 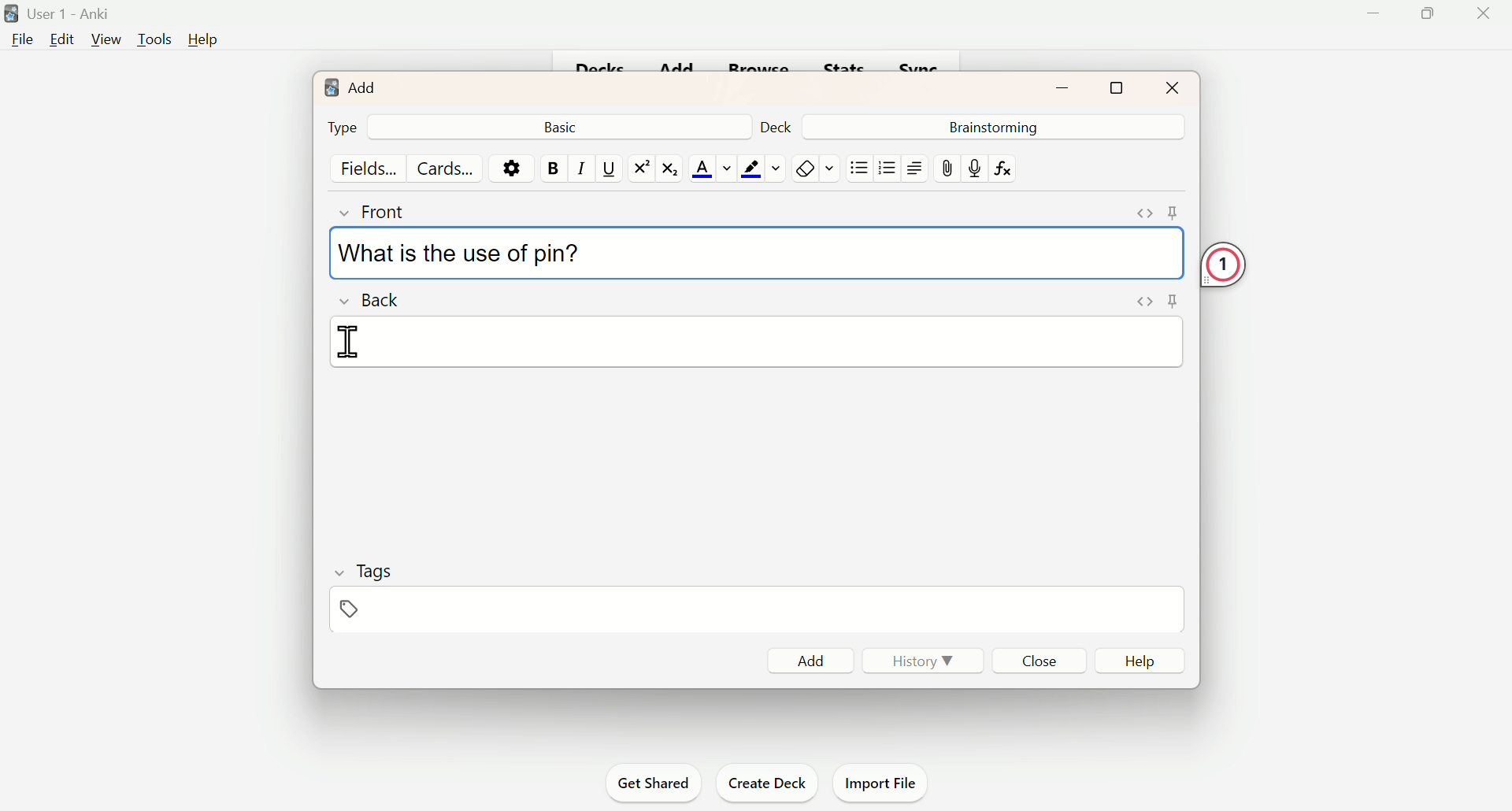 I want to click on , so click(x=943, y=167).